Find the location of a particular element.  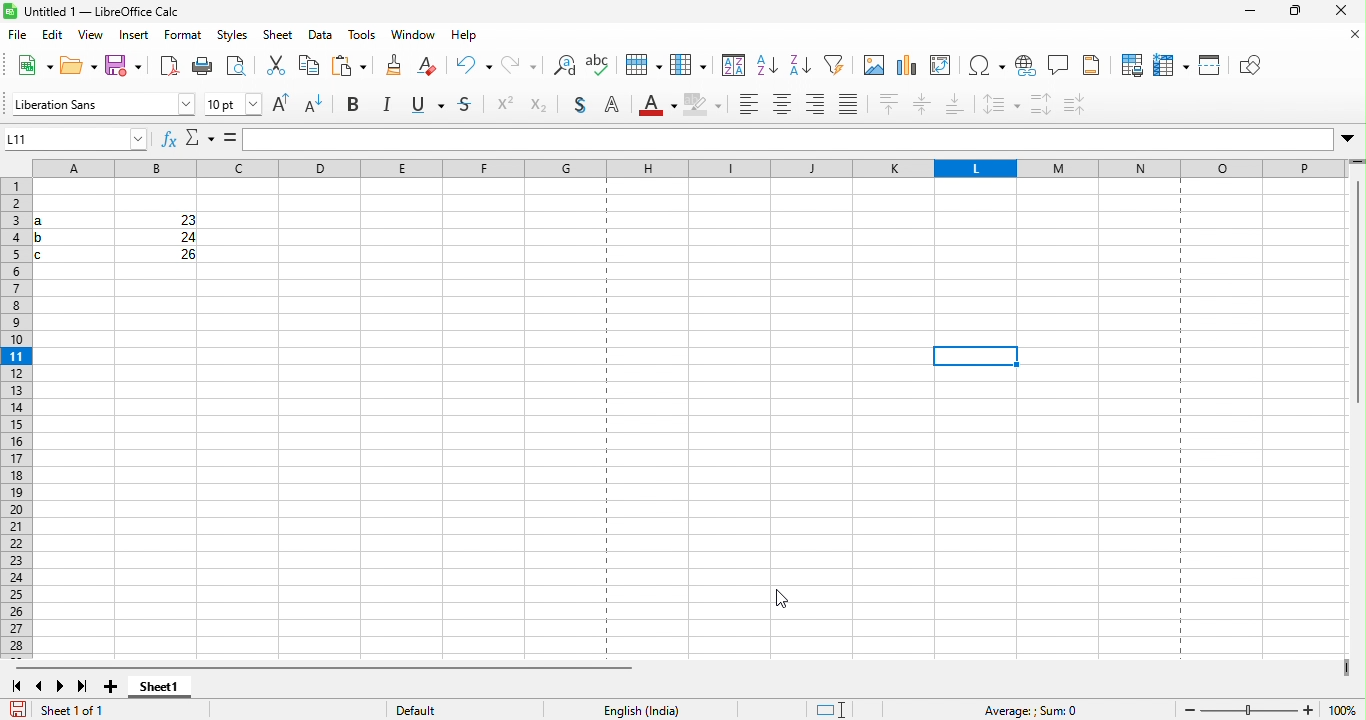

edit is located at coordinates (54, 37).